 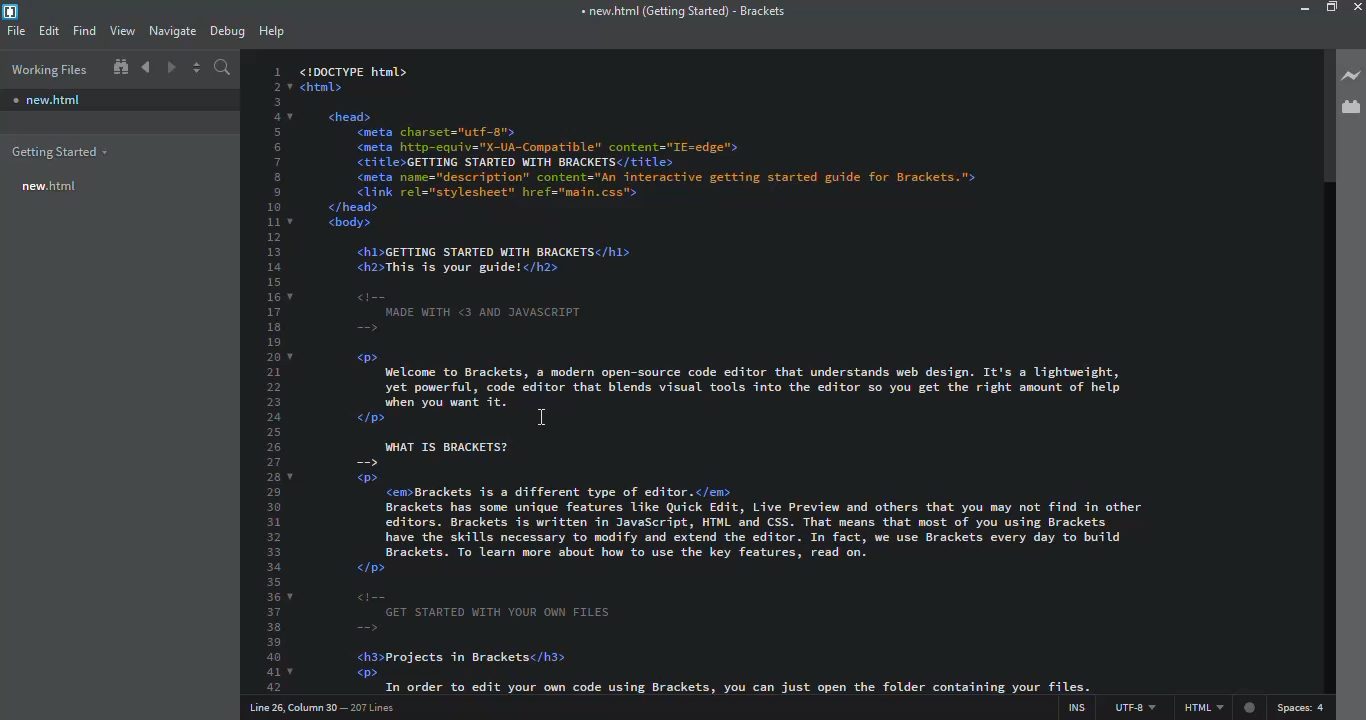 What do you see at coordinates (229, 32) in the screenshot?
I see `debug` at bounding box center [229, 32].